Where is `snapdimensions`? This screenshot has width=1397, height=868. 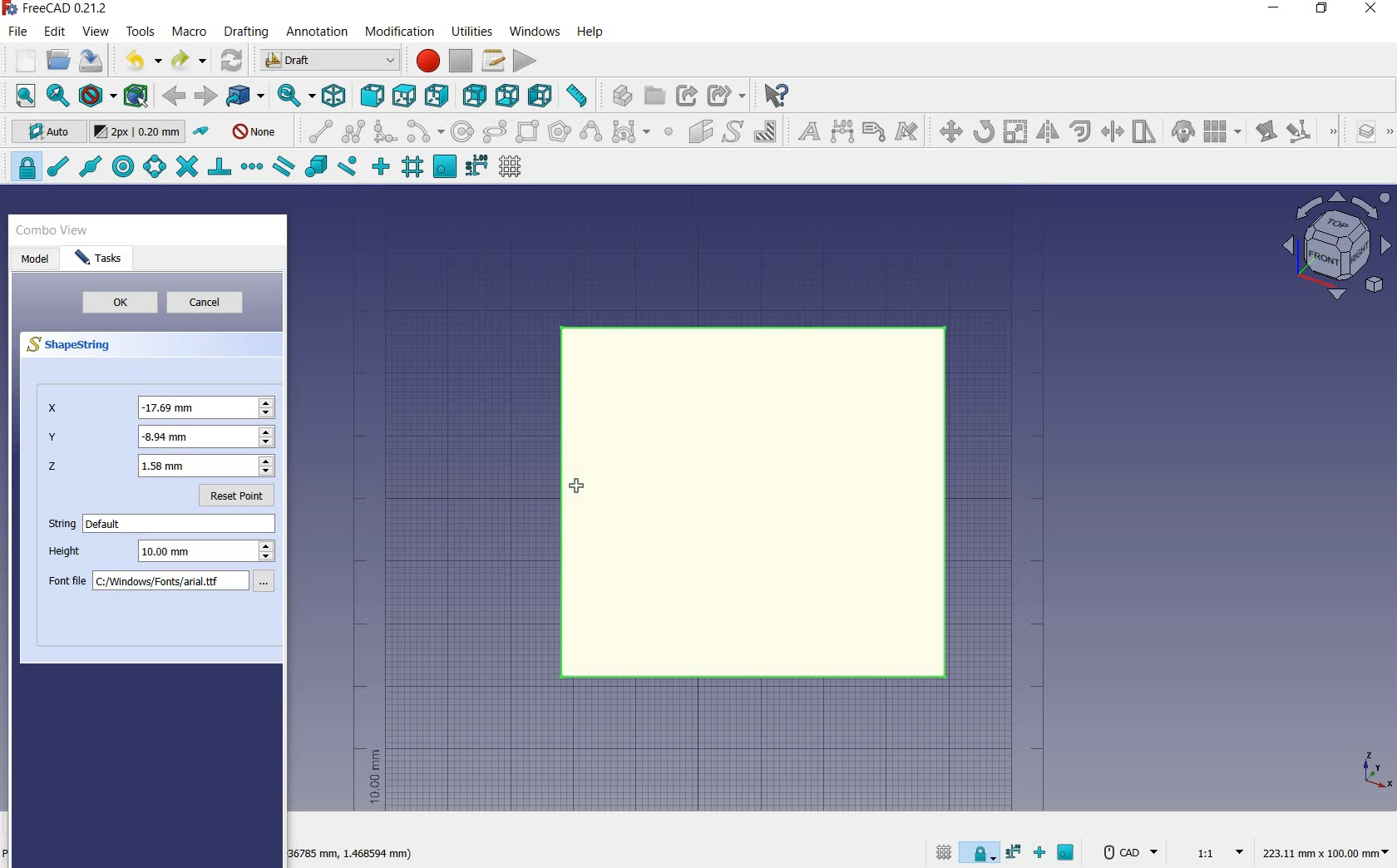 snapdimensions is located at coordinates (1016, 852).